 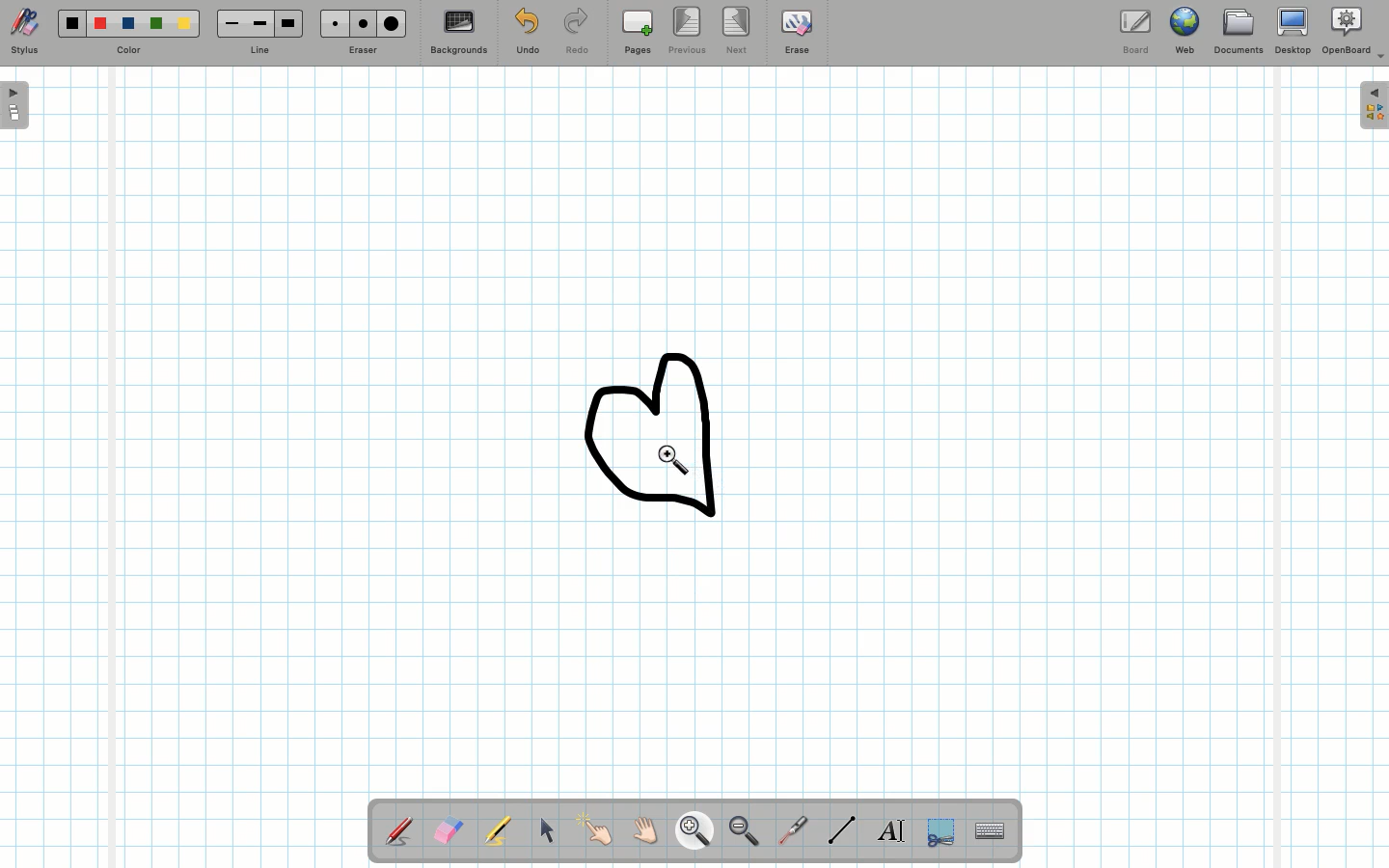 What do you see at coordinates (646, 830) in the screenshot?
I see `Grab` at bounding box center [646, 830].